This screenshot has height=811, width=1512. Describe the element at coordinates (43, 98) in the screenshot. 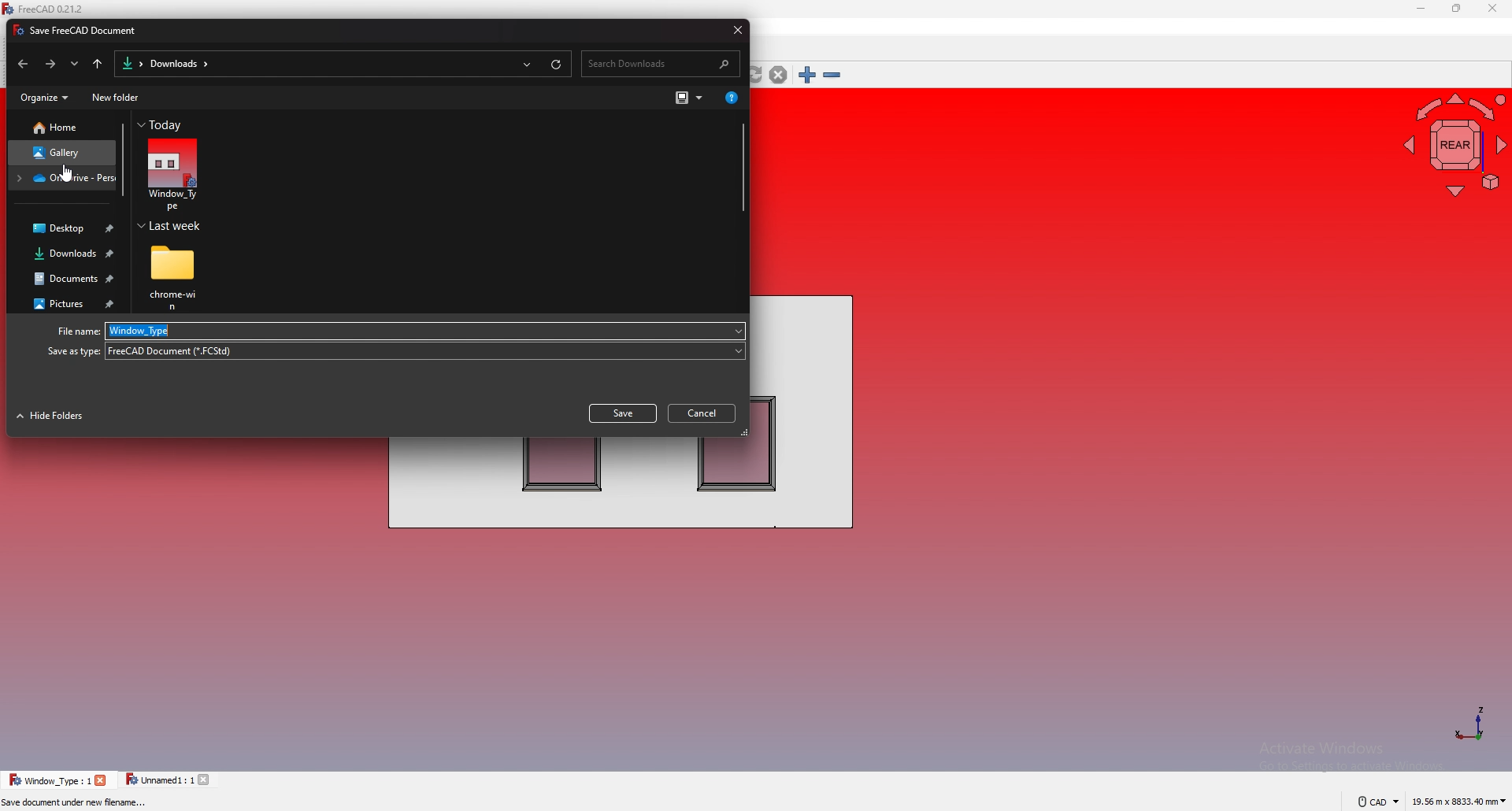

I see `organize` at that location.